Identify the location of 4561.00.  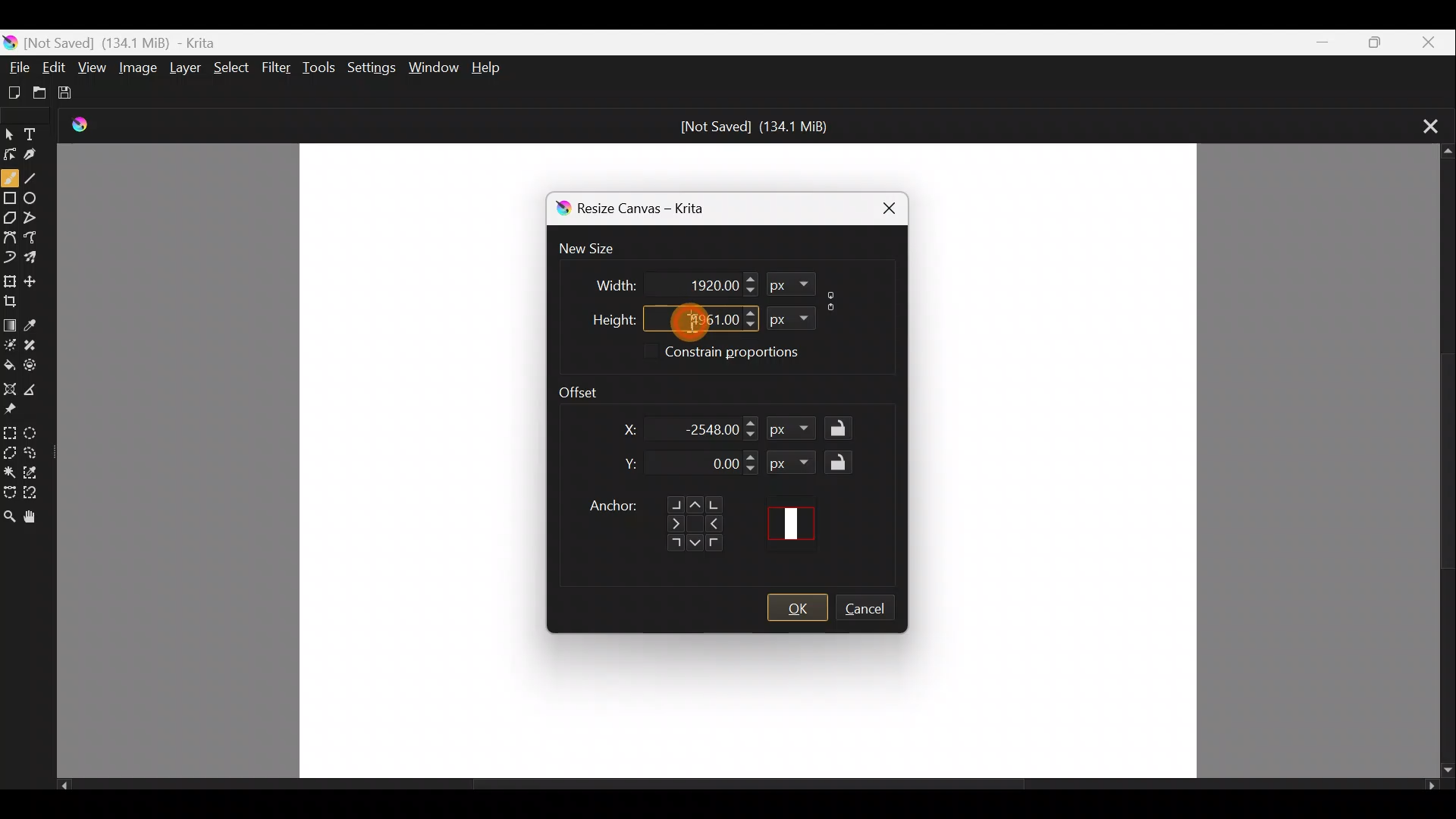
(692, 317).